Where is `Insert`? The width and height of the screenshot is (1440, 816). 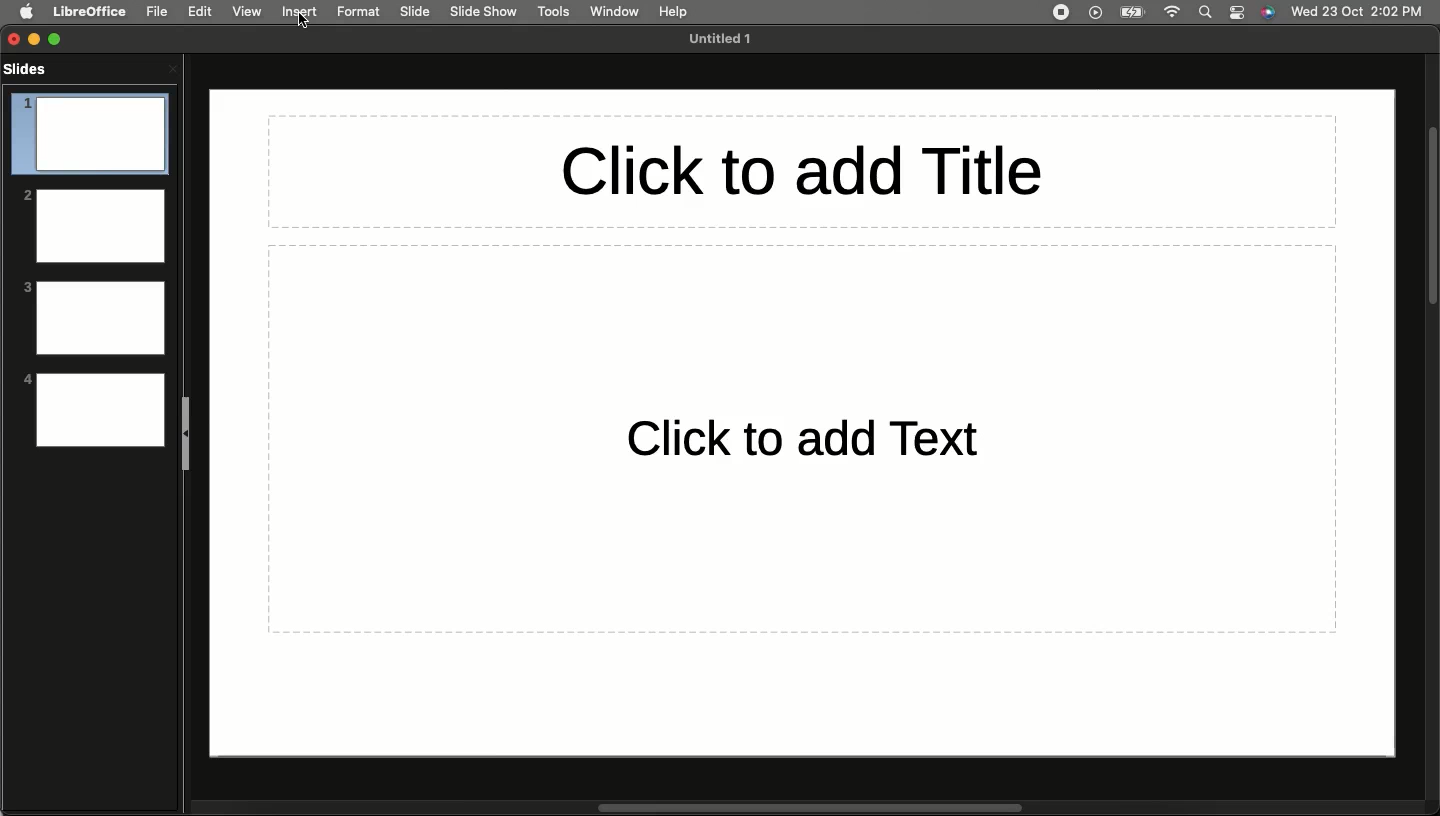 Insert is located at coordinates (300, 12).